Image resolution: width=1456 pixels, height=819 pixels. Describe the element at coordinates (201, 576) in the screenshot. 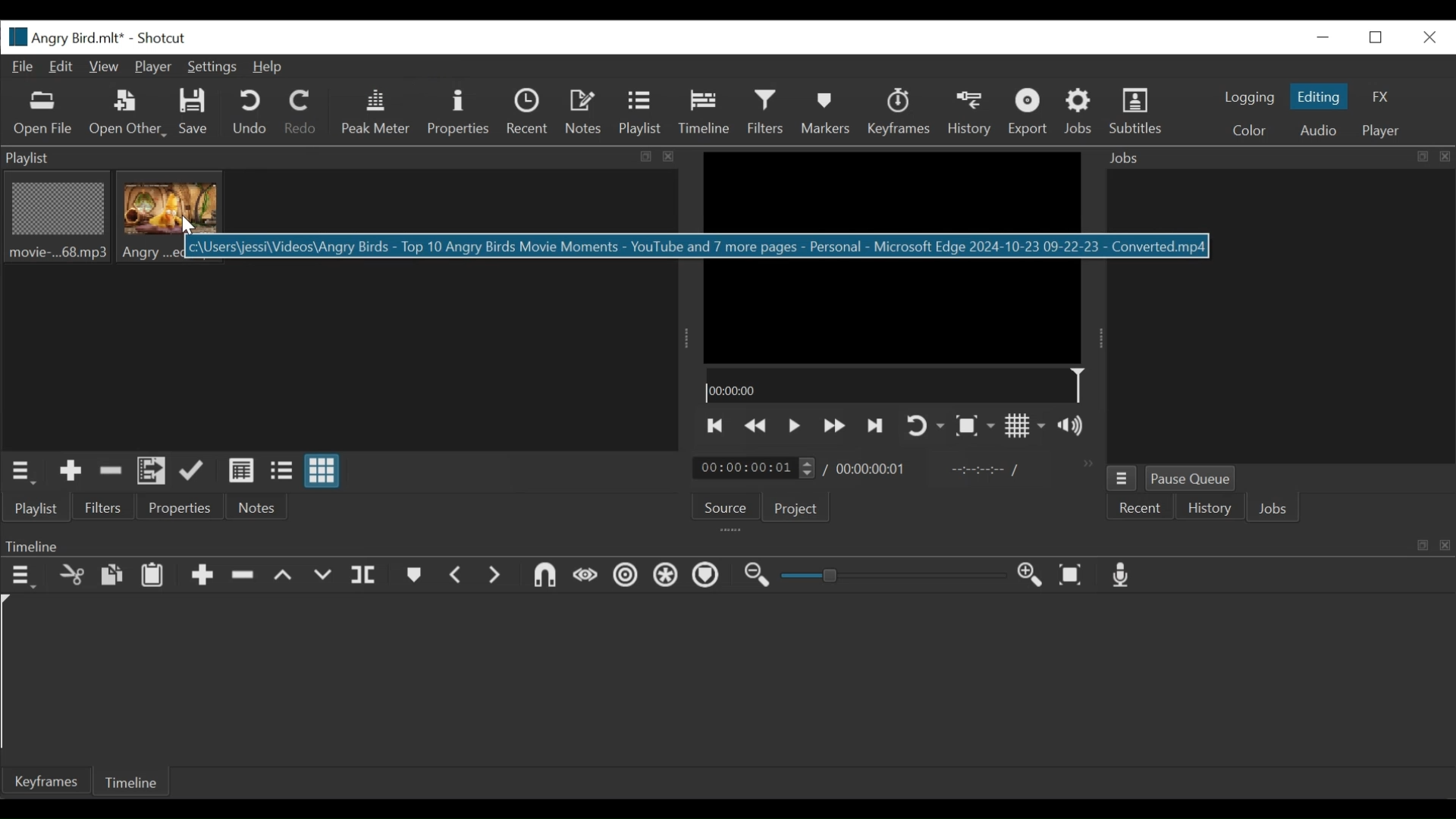

I see `Append` at that location.